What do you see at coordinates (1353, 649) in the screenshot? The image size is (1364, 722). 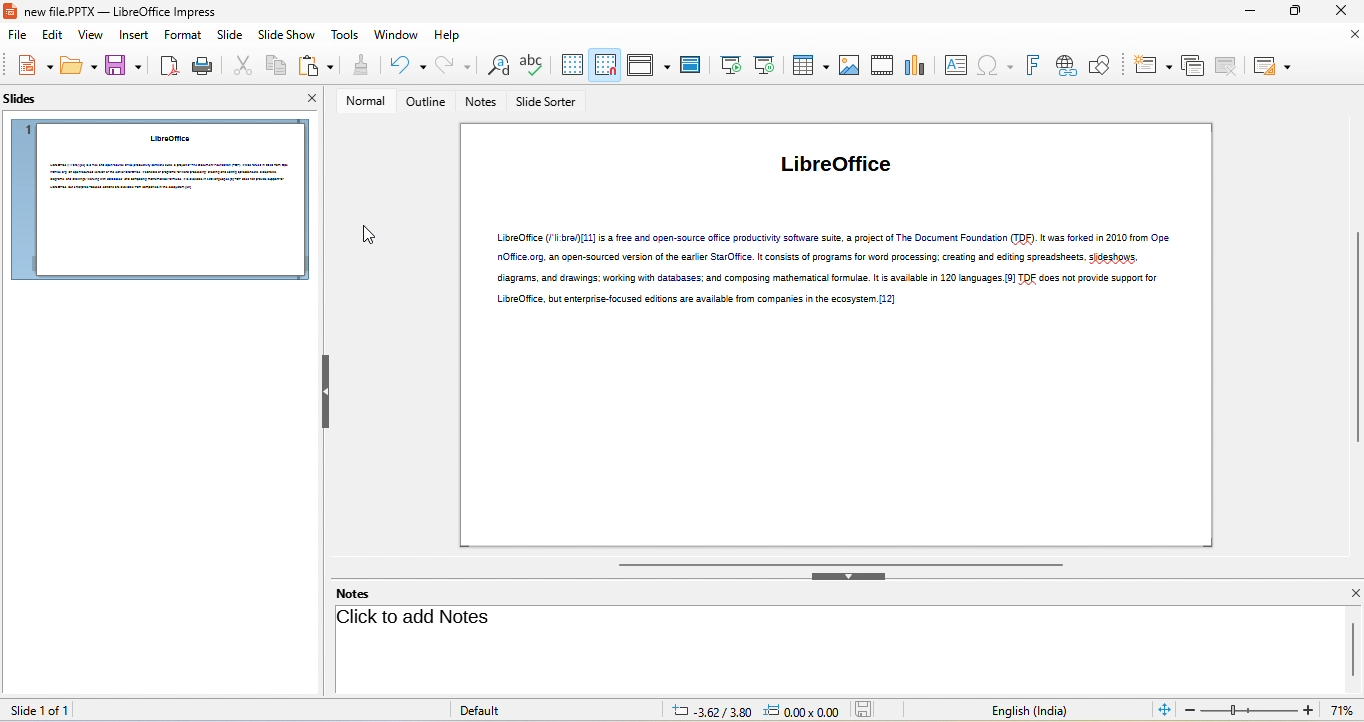 I see `vertical scroll bar` at bounding box center [1353, 649].